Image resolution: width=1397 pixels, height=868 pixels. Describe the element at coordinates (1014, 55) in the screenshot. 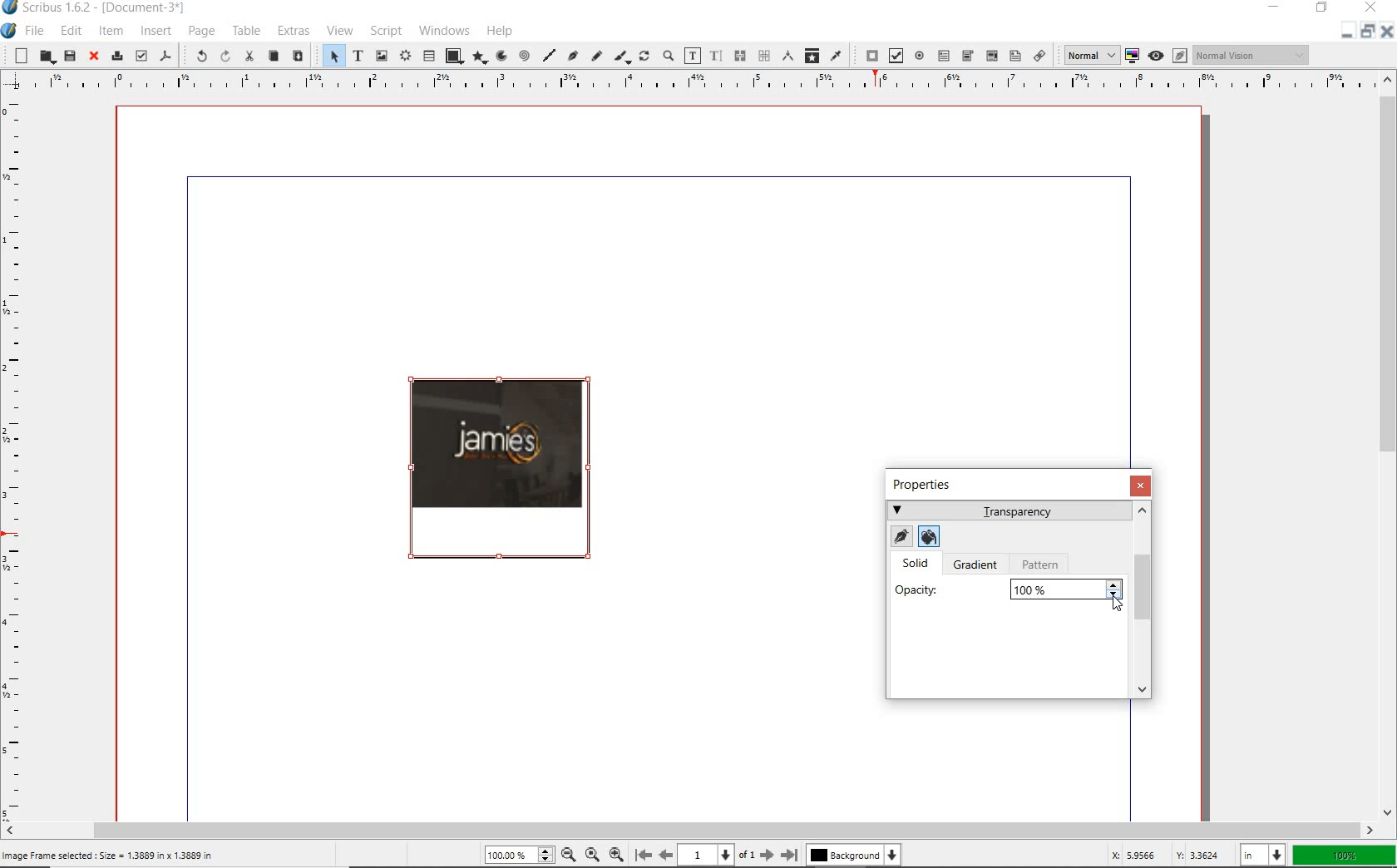

I see `pdf list box` at that location.